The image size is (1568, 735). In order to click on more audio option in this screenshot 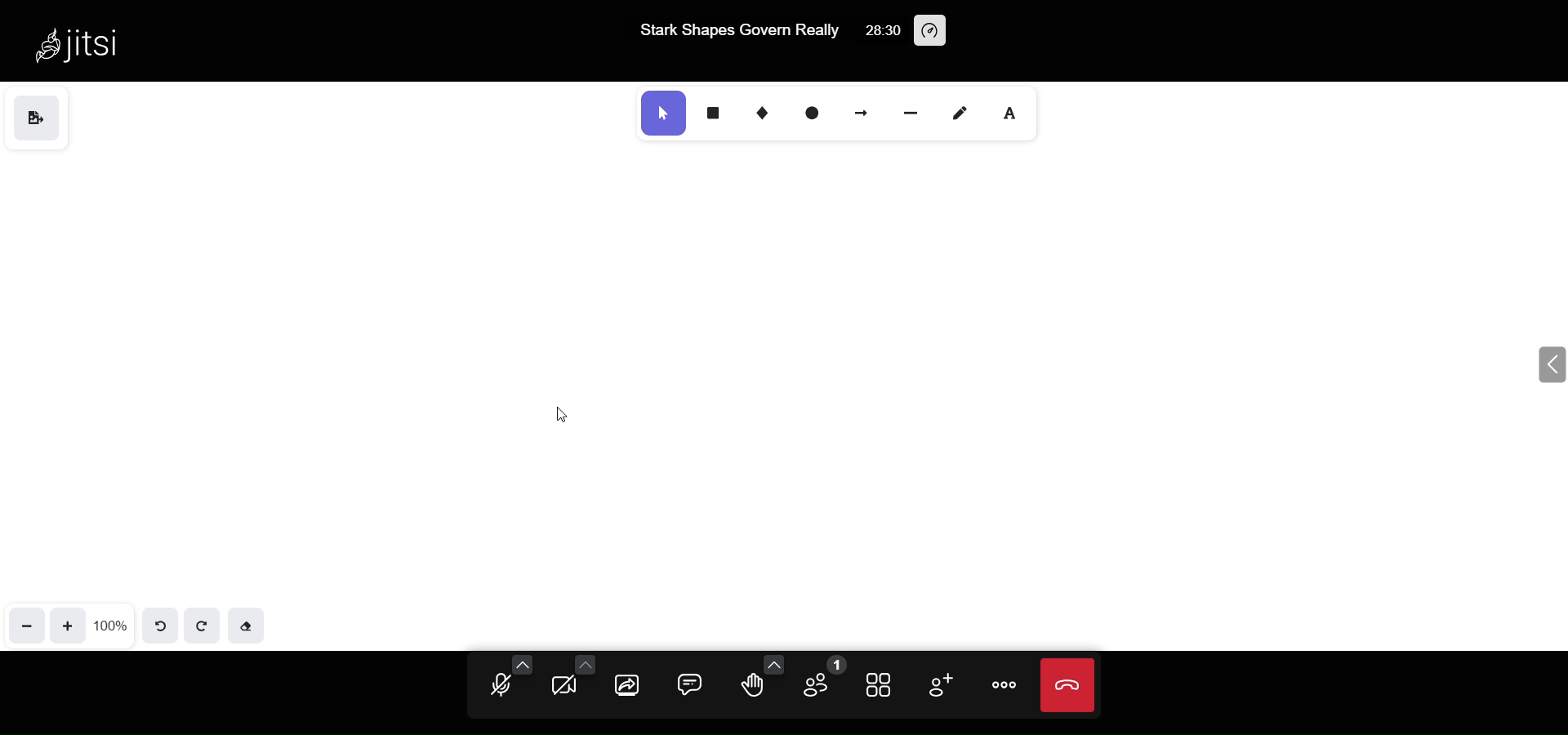, I will do `click(523, 664)`.